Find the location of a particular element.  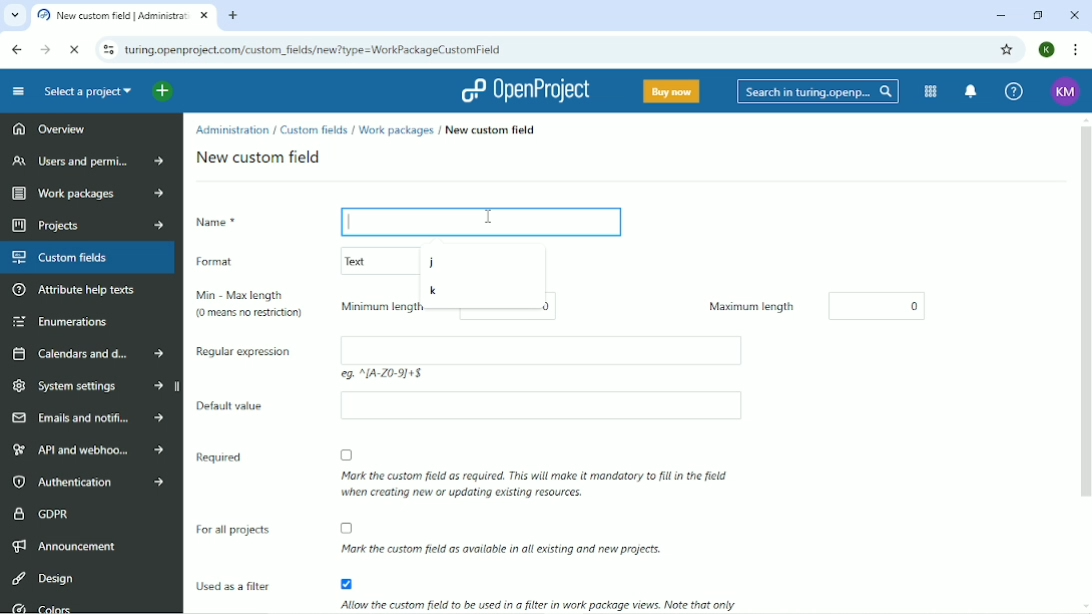

k is located at coordinates (436, 290).